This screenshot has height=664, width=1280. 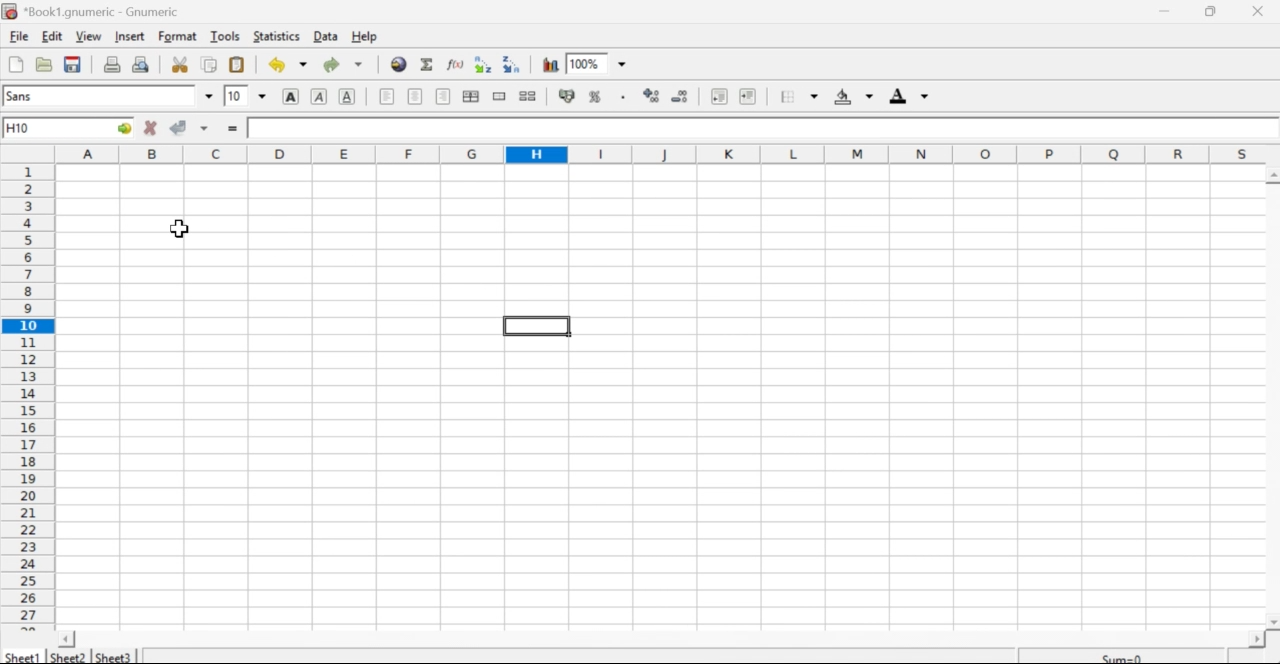 What do you see at coordinates (208, 93) in the screenshot?
I see `down` at bounding box center [208, 93].